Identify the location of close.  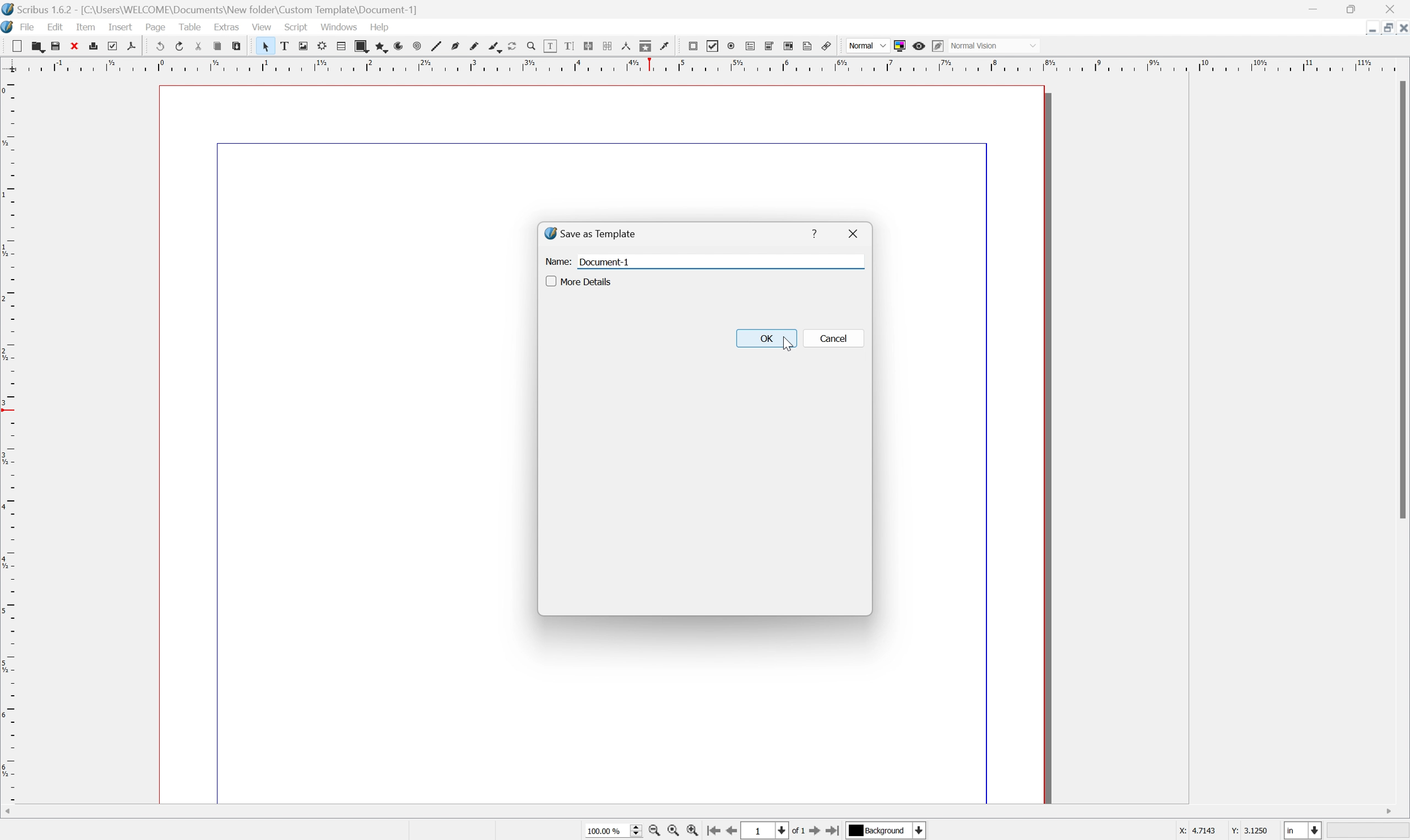
(855, 233).